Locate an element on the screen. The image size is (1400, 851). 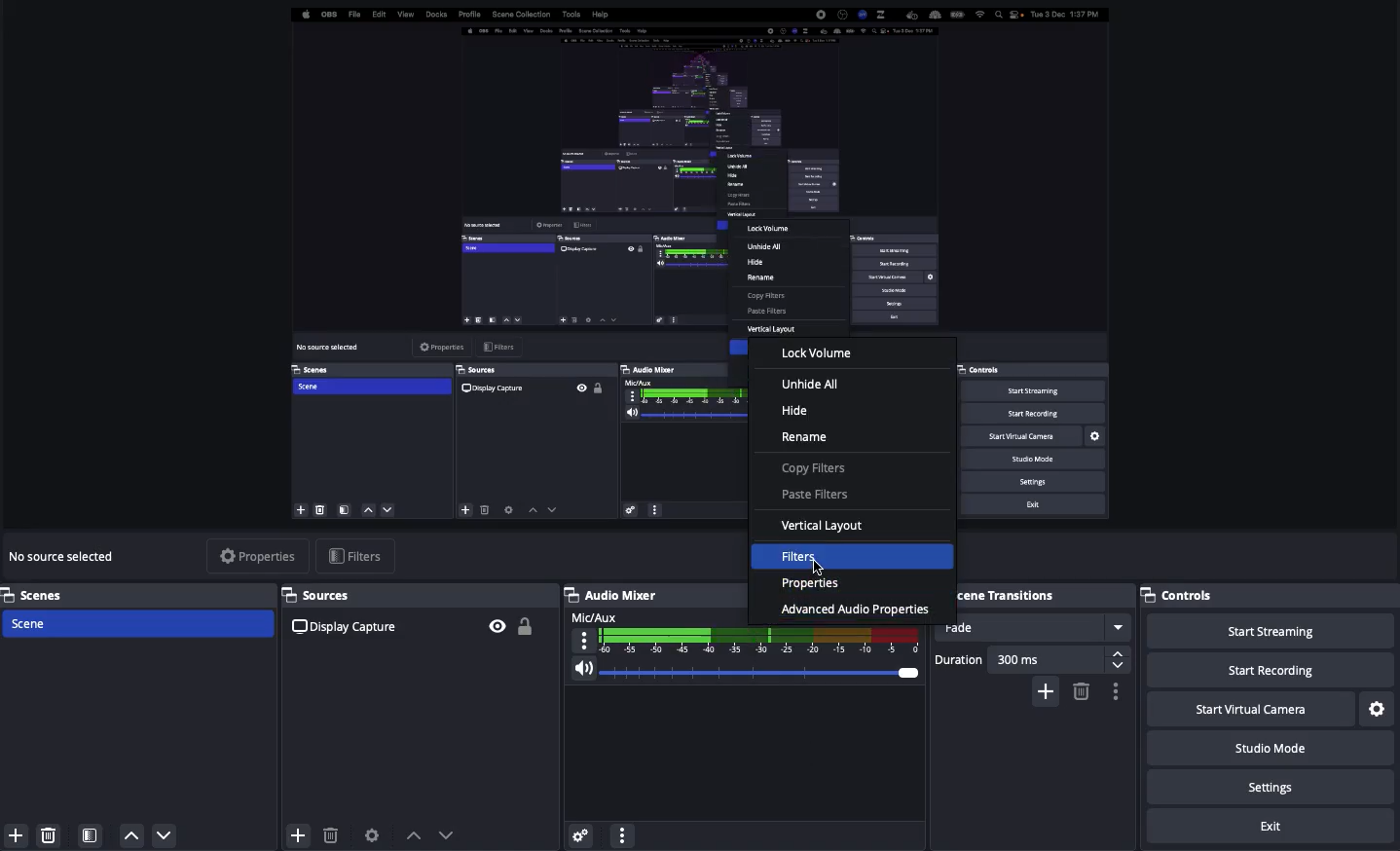
Hide is located at coordinates (798, 410).